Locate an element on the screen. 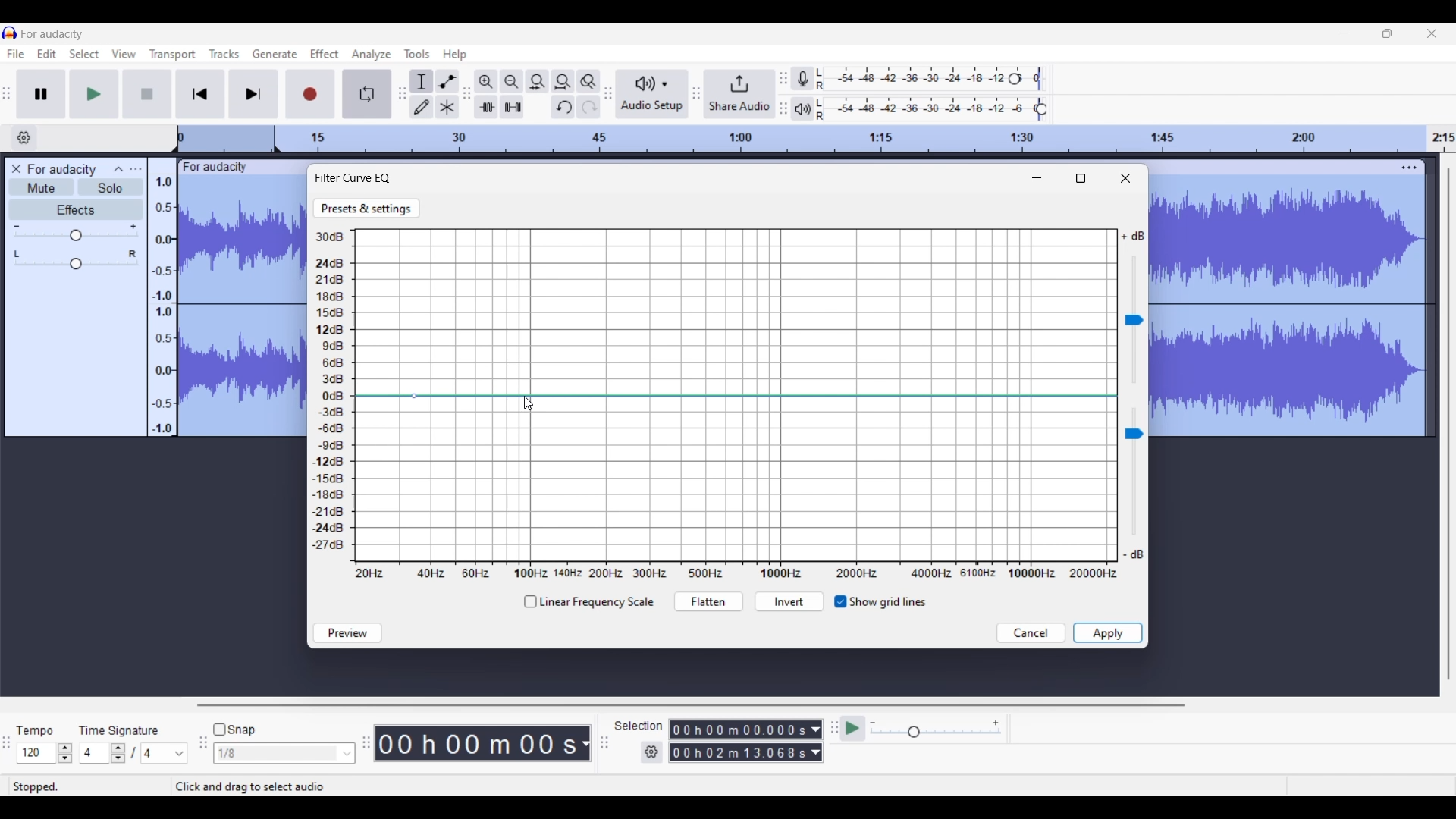 This screenshot has height=819, width=1456. Envelop tool is located at coordinates (447, 81).